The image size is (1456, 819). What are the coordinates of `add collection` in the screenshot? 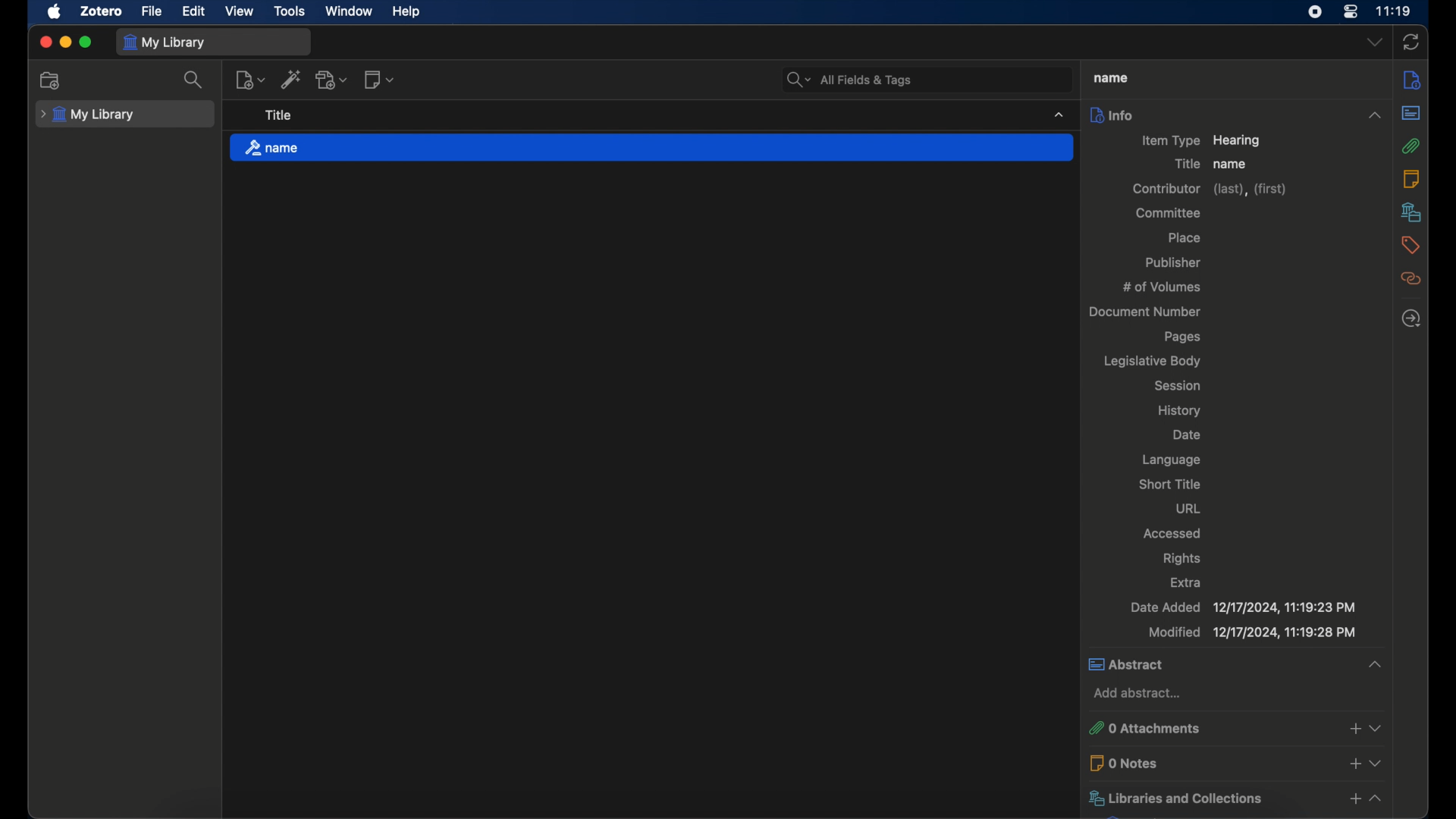 It's located at (51, 80).